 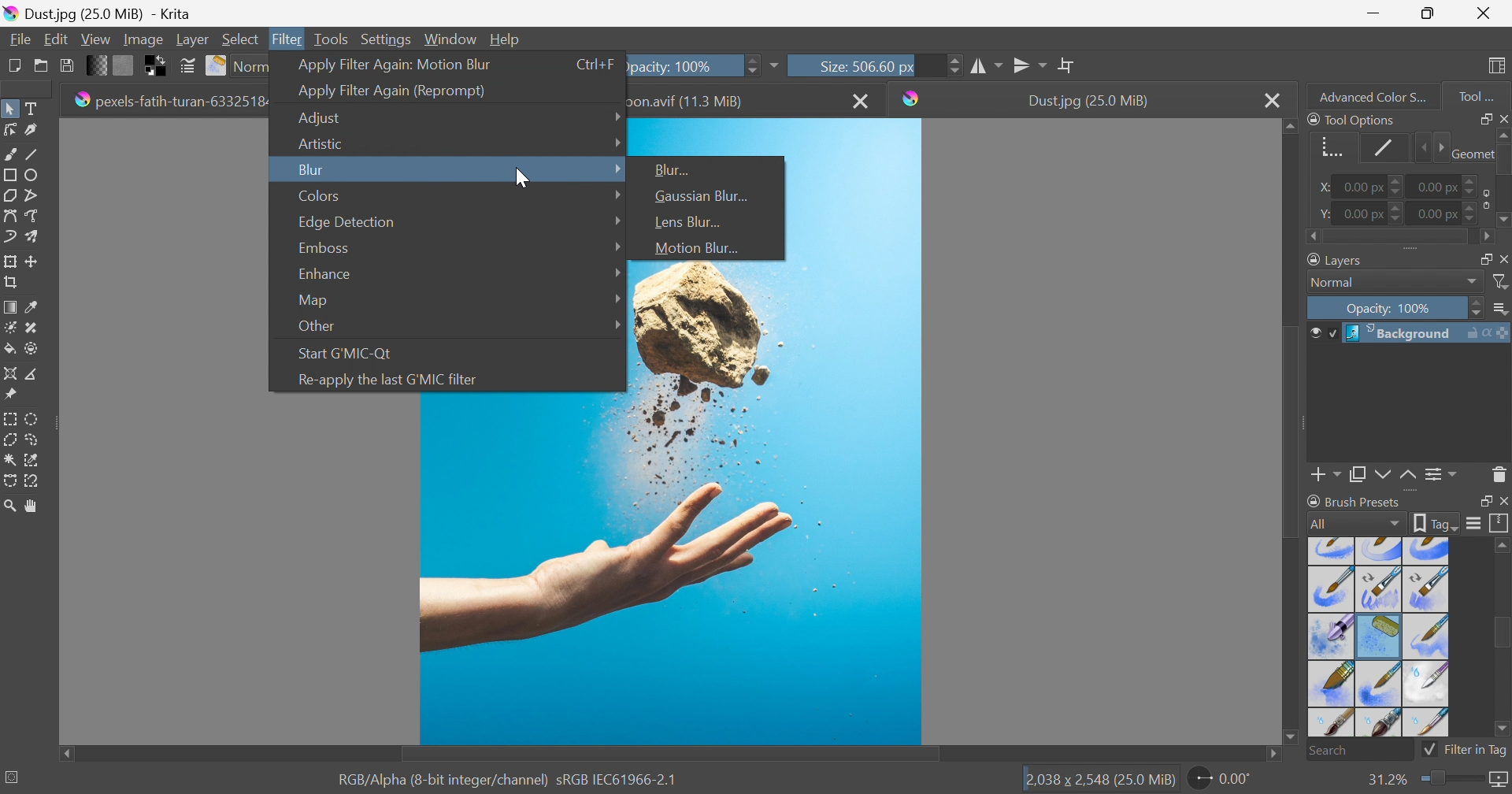 I want to click on Re-apply the last G'MIC filter, so click(x=387, y=380).